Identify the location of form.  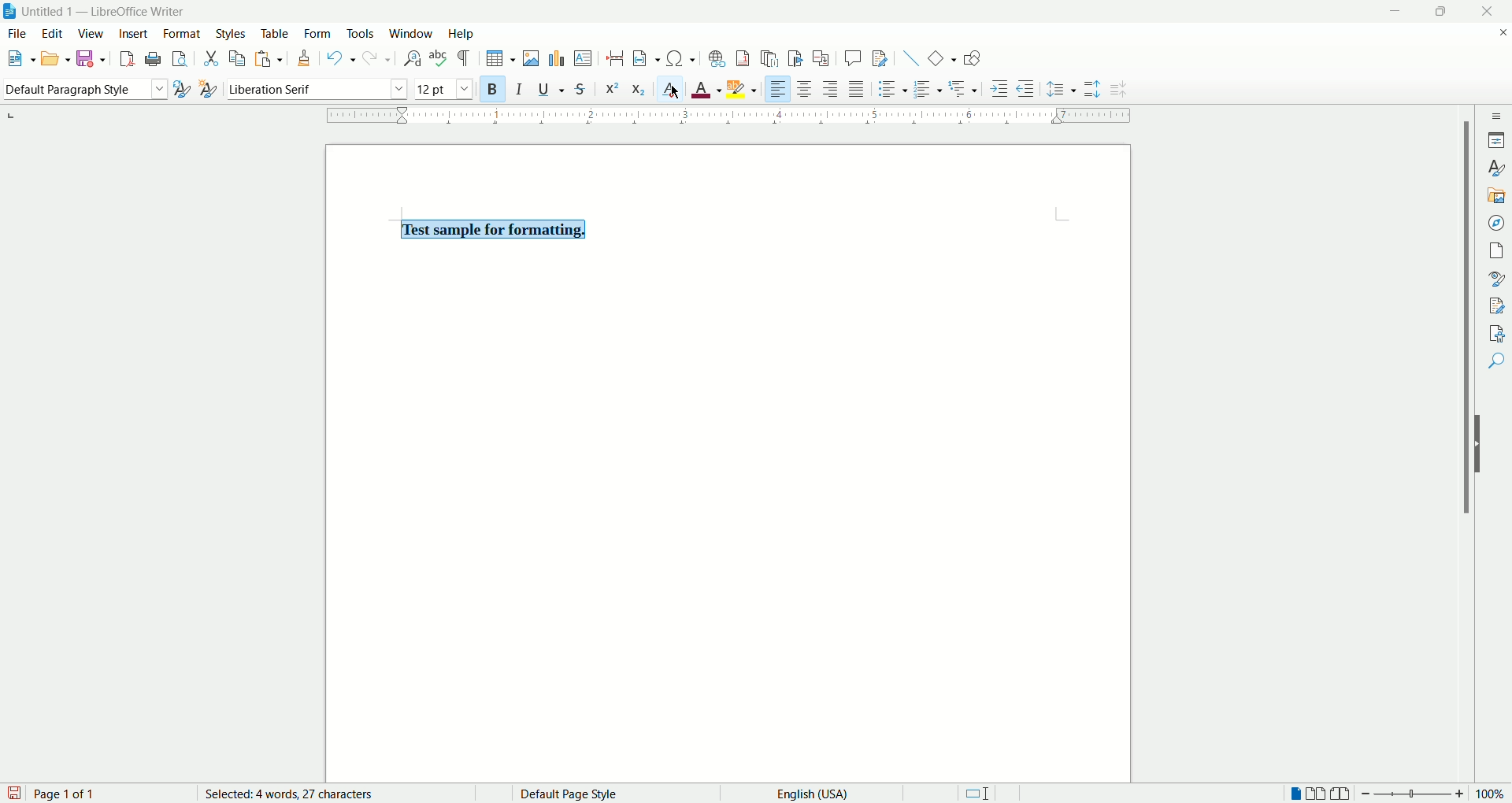
(317, 32).